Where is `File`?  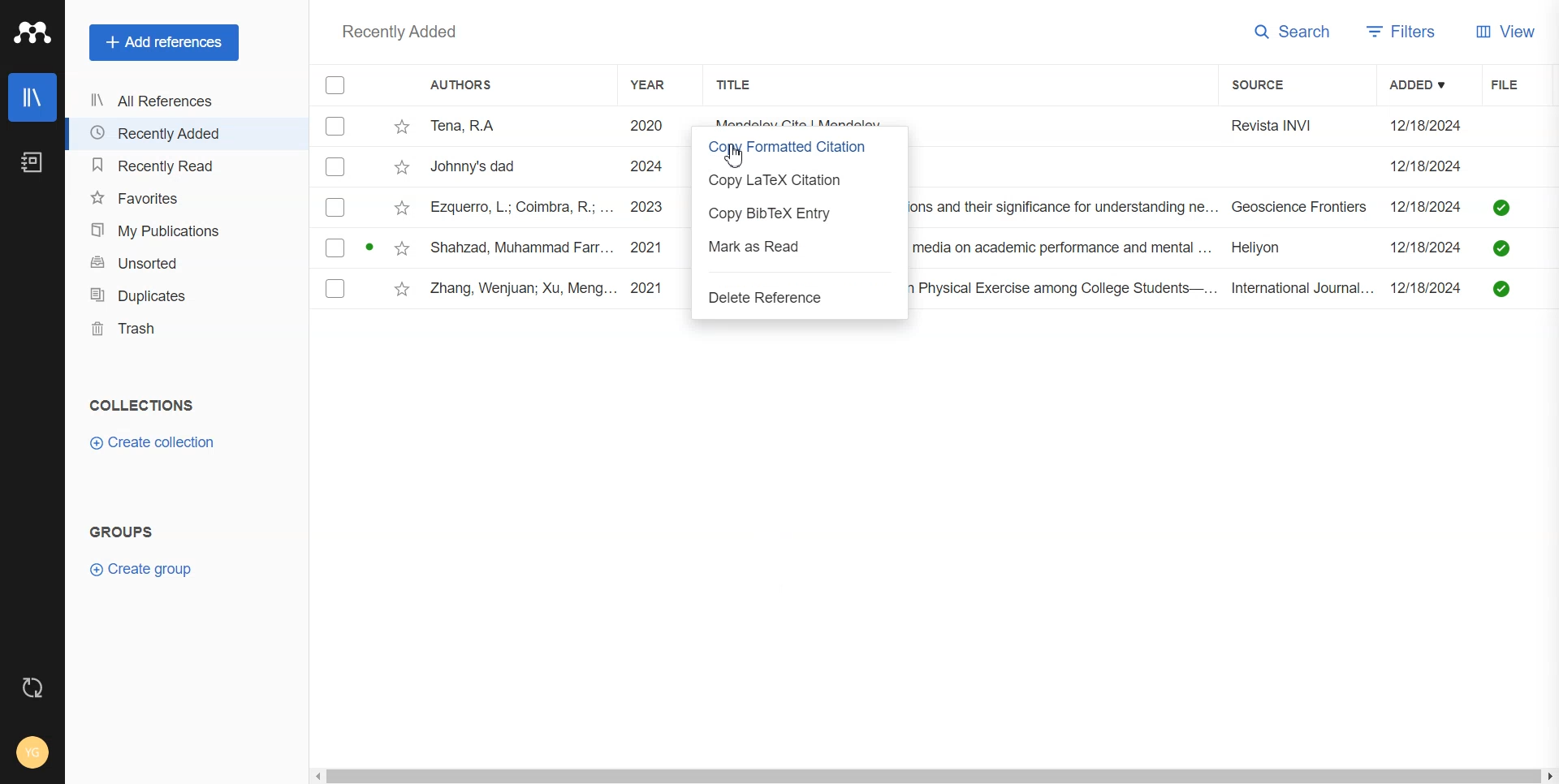
File is located at coordinates (1516, 84).